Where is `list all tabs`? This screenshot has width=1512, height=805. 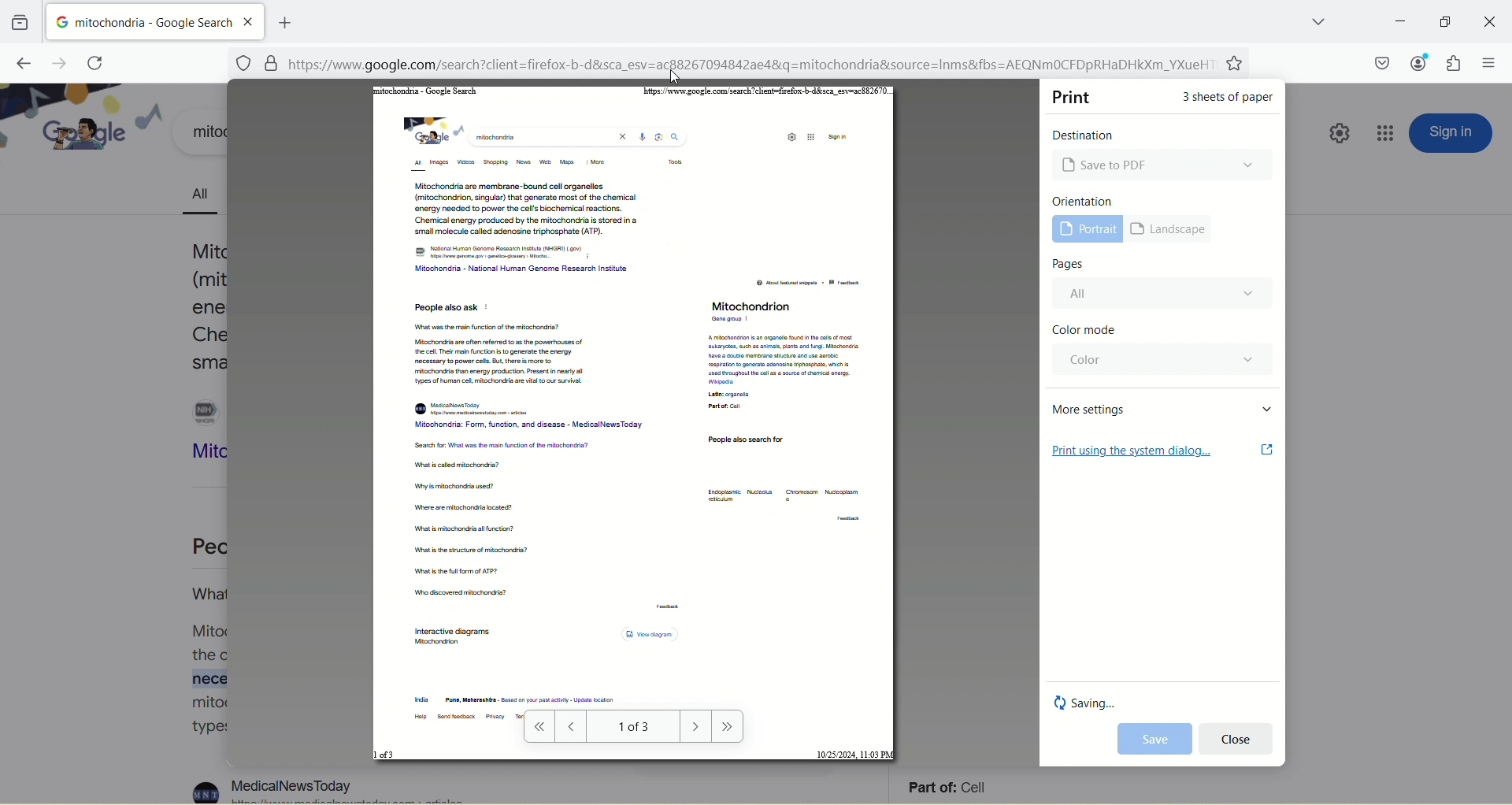 list all tabs is located at coordinates (1306, 20).